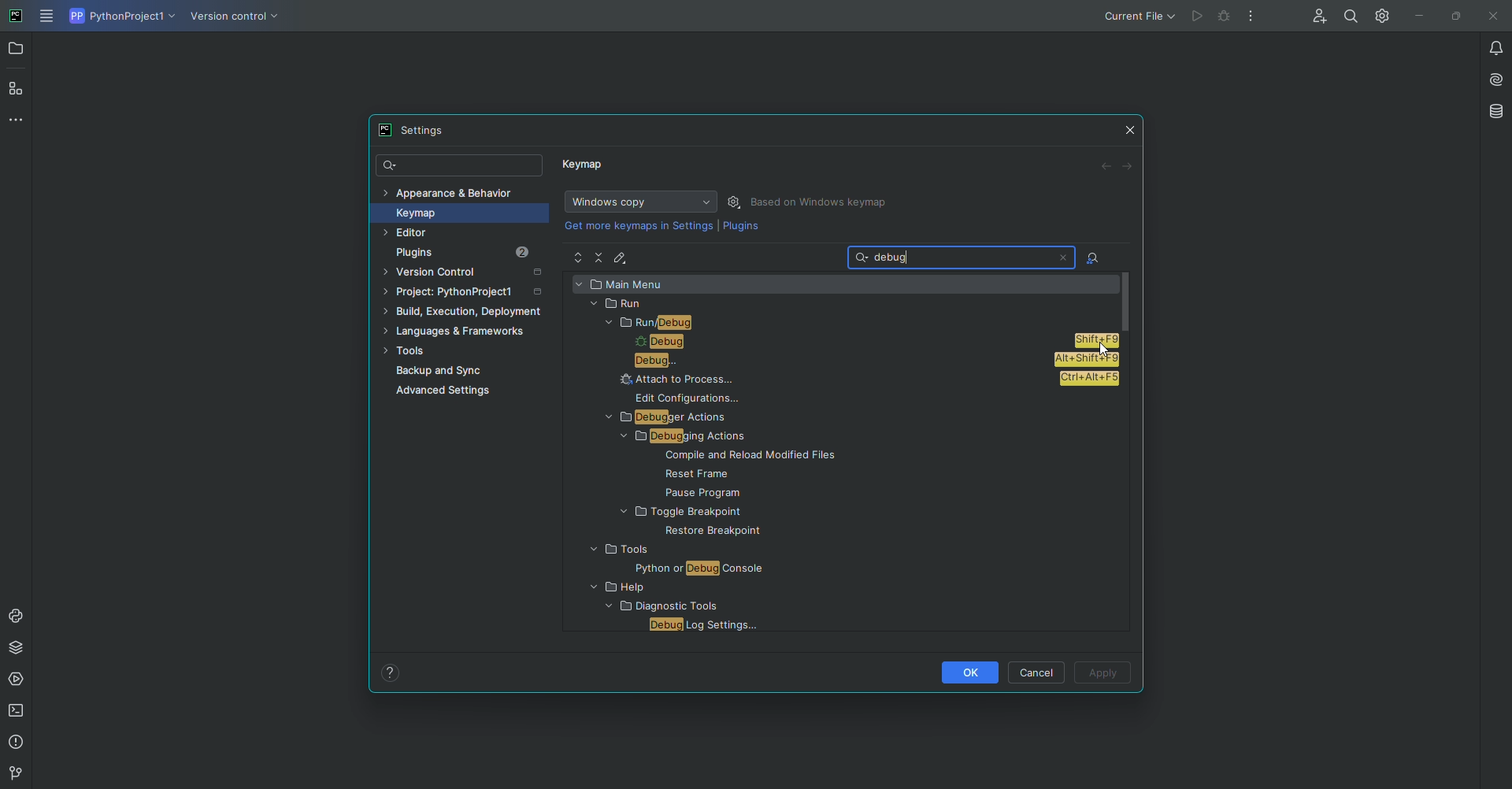 The width and height of the screenshot is (1512, 789). What do you see at coordinates (623, 257) in the screenshot?
I see `Edit` at bounding box center [623, 257].